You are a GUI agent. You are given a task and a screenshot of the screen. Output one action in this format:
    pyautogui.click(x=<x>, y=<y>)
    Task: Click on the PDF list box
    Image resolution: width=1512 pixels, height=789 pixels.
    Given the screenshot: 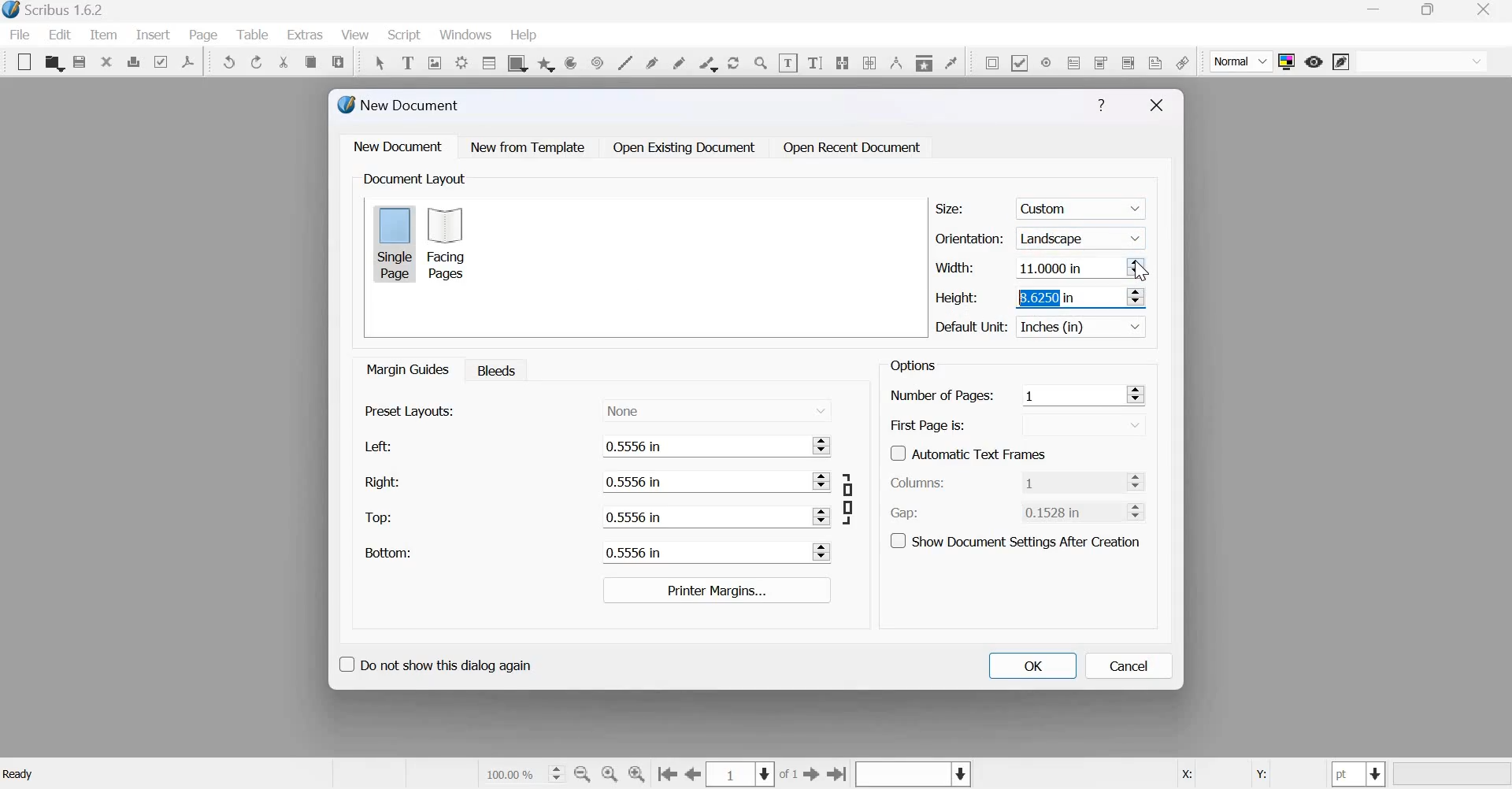 What is the action you would take?
    pyautogui.click(x=1127, y=61)
    